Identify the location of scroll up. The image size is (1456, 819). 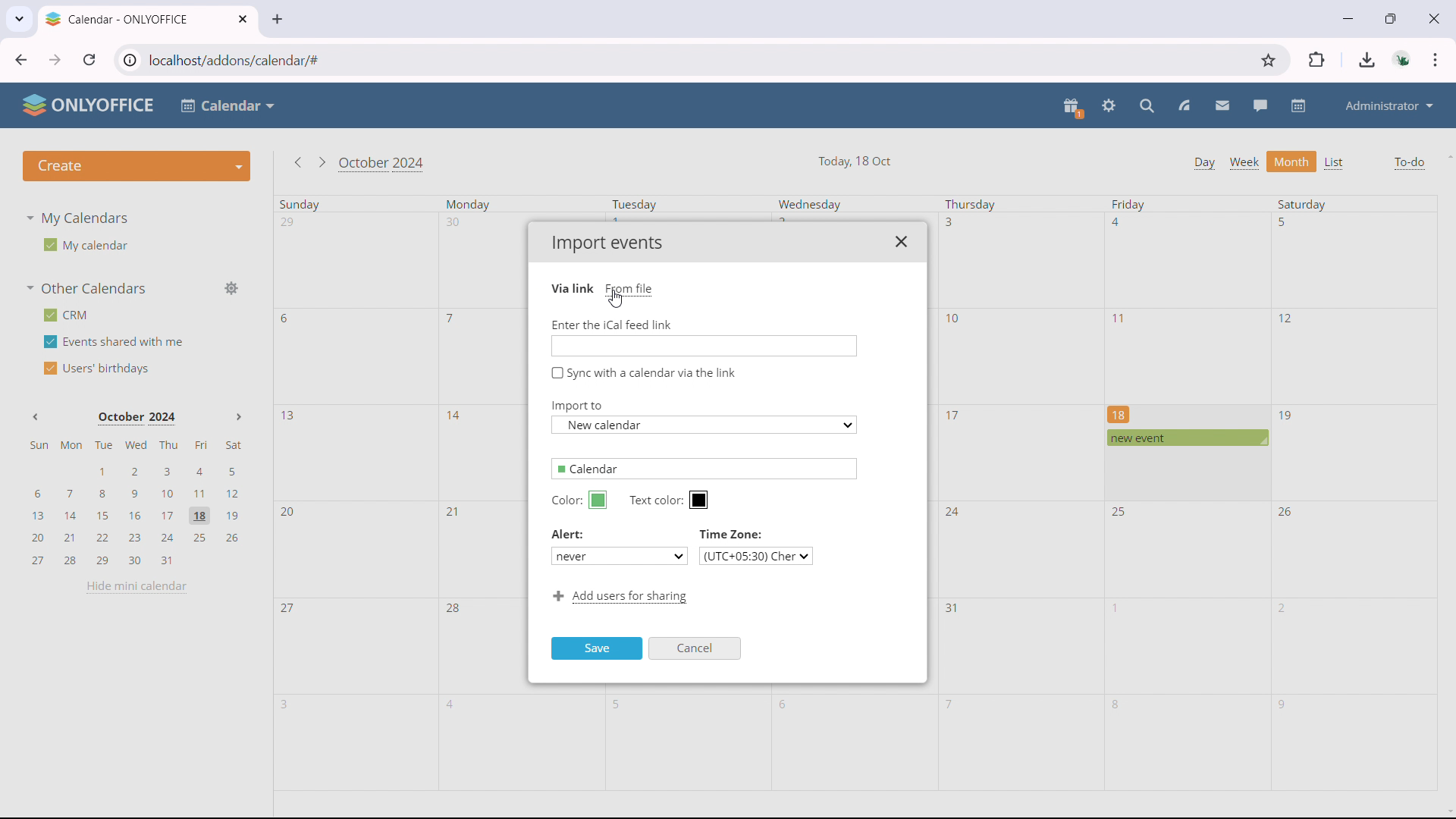
(1447, 155).